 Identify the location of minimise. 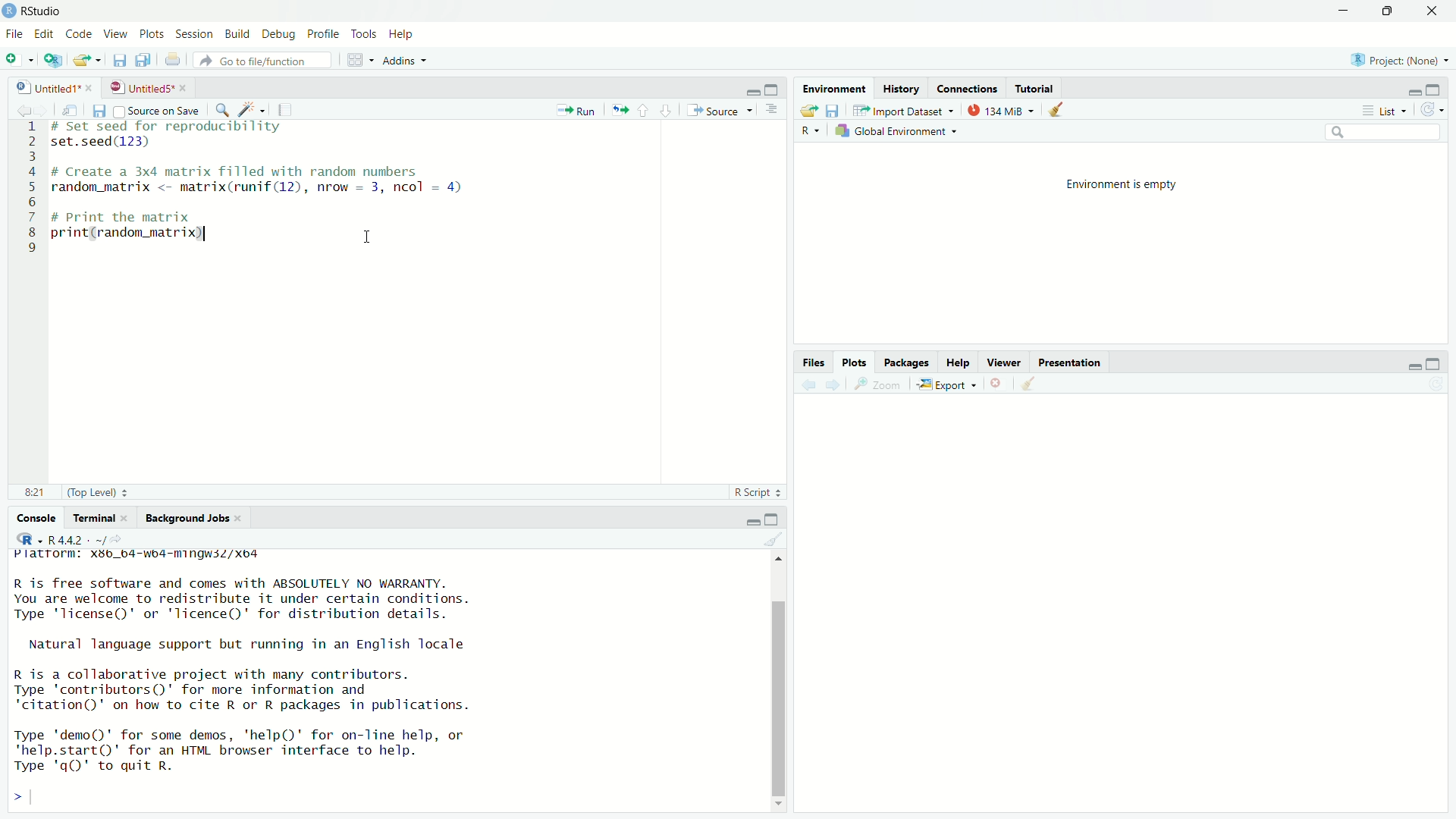
(745, 91).